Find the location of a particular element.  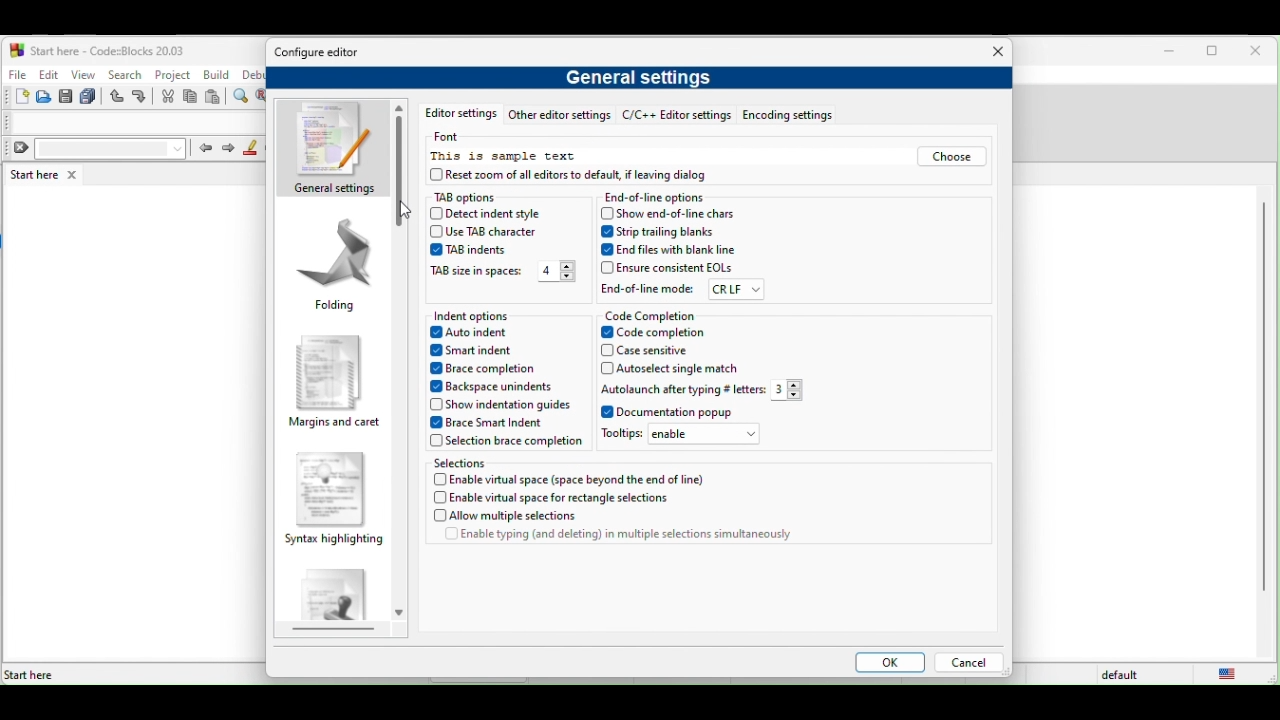

end of line mode is located at coordinates (648, 288).